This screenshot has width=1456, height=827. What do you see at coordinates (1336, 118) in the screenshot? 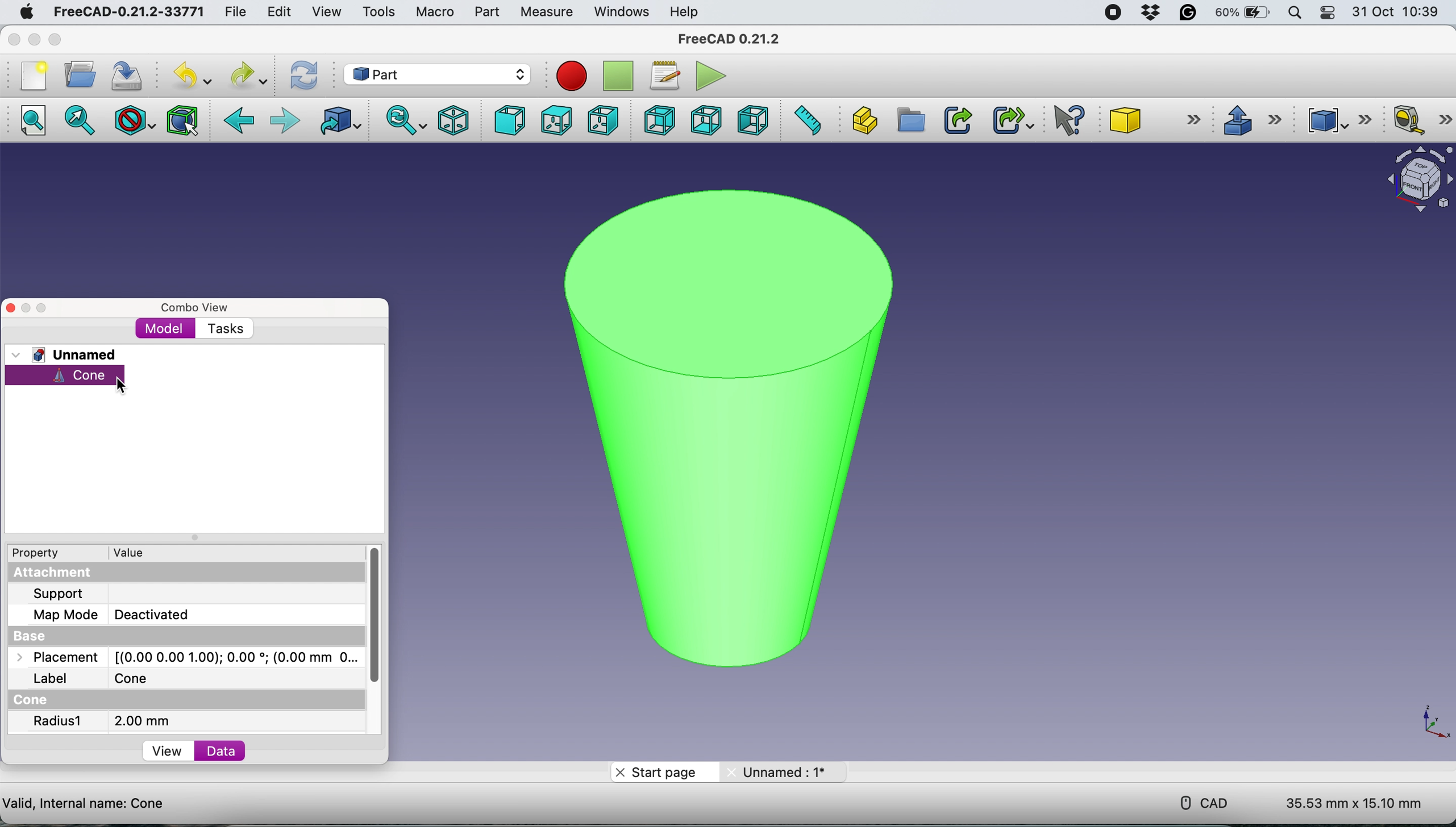
I see `compound tools` at bounding box center [1336, 118].